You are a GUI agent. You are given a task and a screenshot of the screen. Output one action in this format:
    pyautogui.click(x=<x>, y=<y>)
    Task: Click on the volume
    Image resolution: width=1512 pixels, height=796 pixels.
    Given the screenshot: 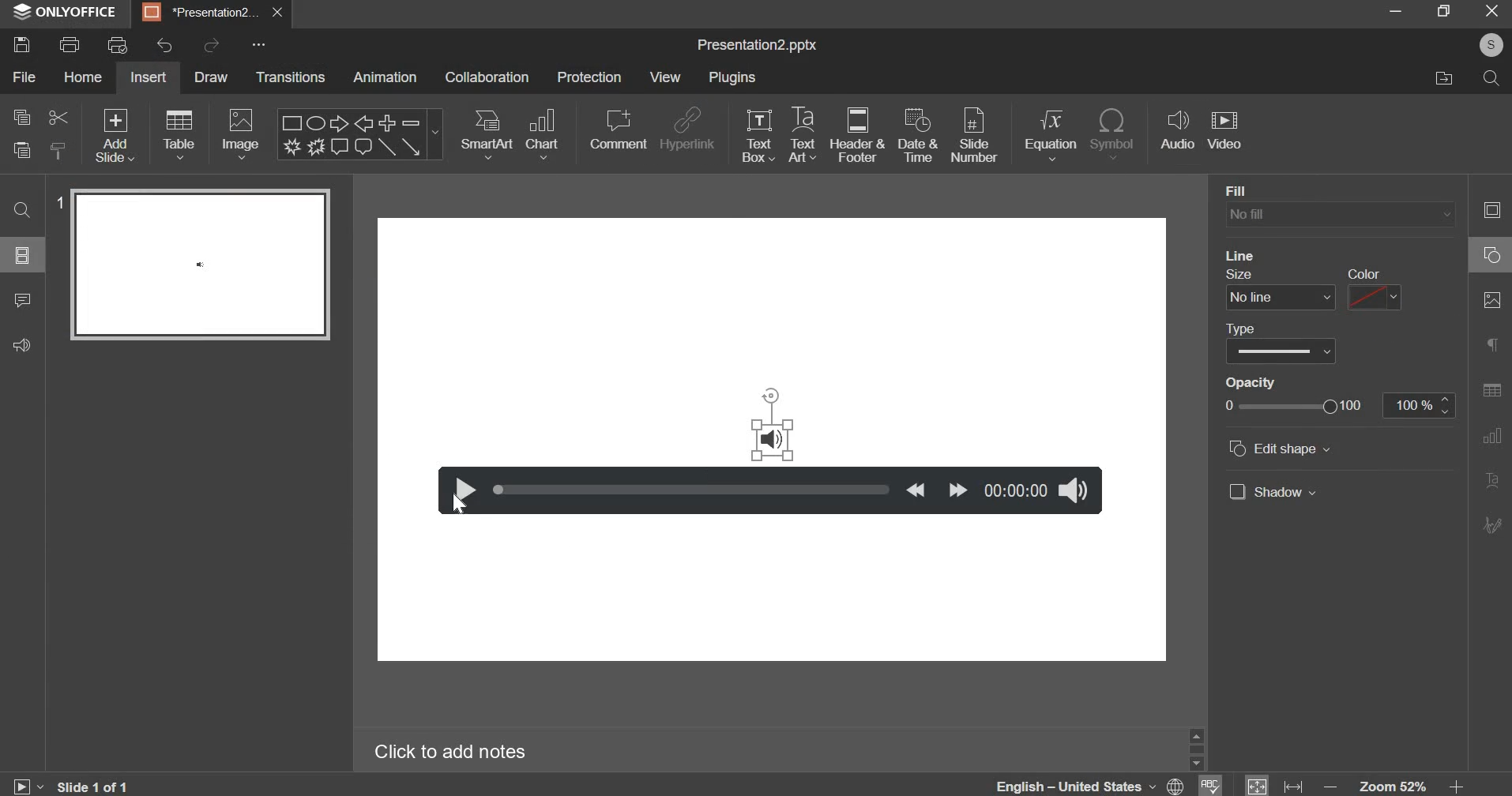 What is the action you would take?
    pyautogui.click(x=1077, y=490)
    